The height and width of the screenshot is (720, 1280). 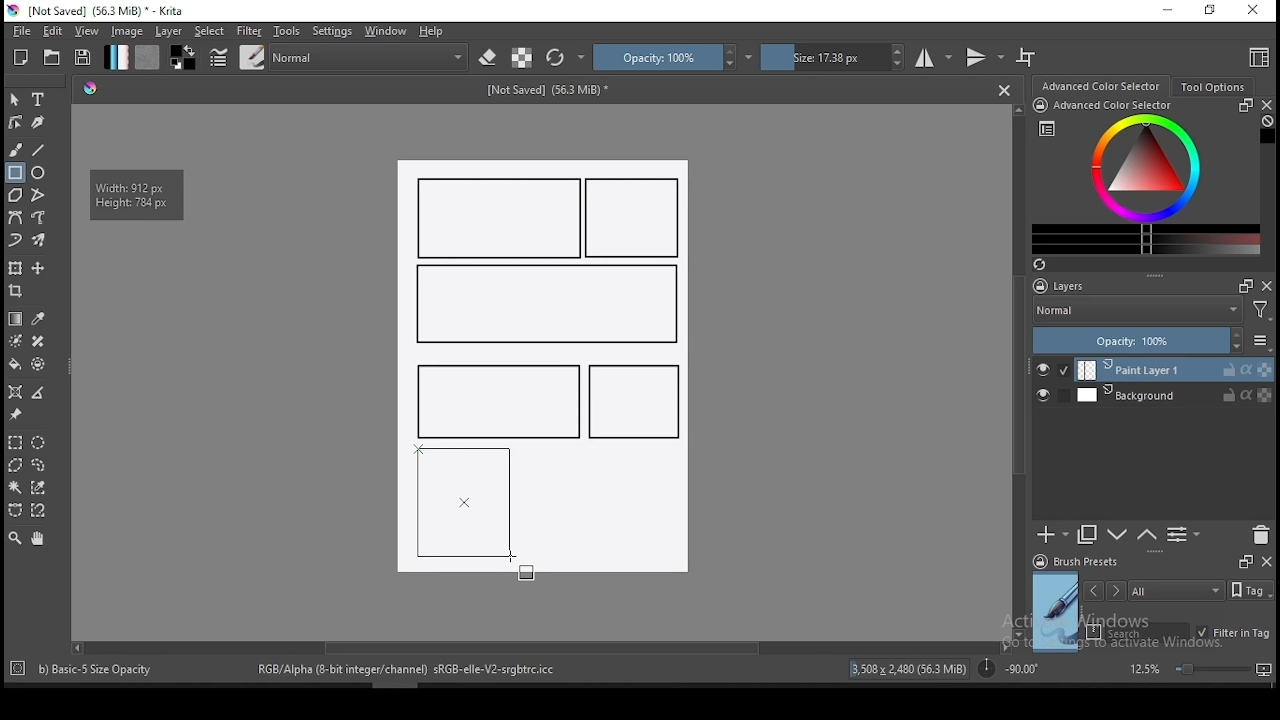 What do you see at coordinates (1267, 285) in the screenshot?
I see `close docker` at bounding box center [1267, 285].